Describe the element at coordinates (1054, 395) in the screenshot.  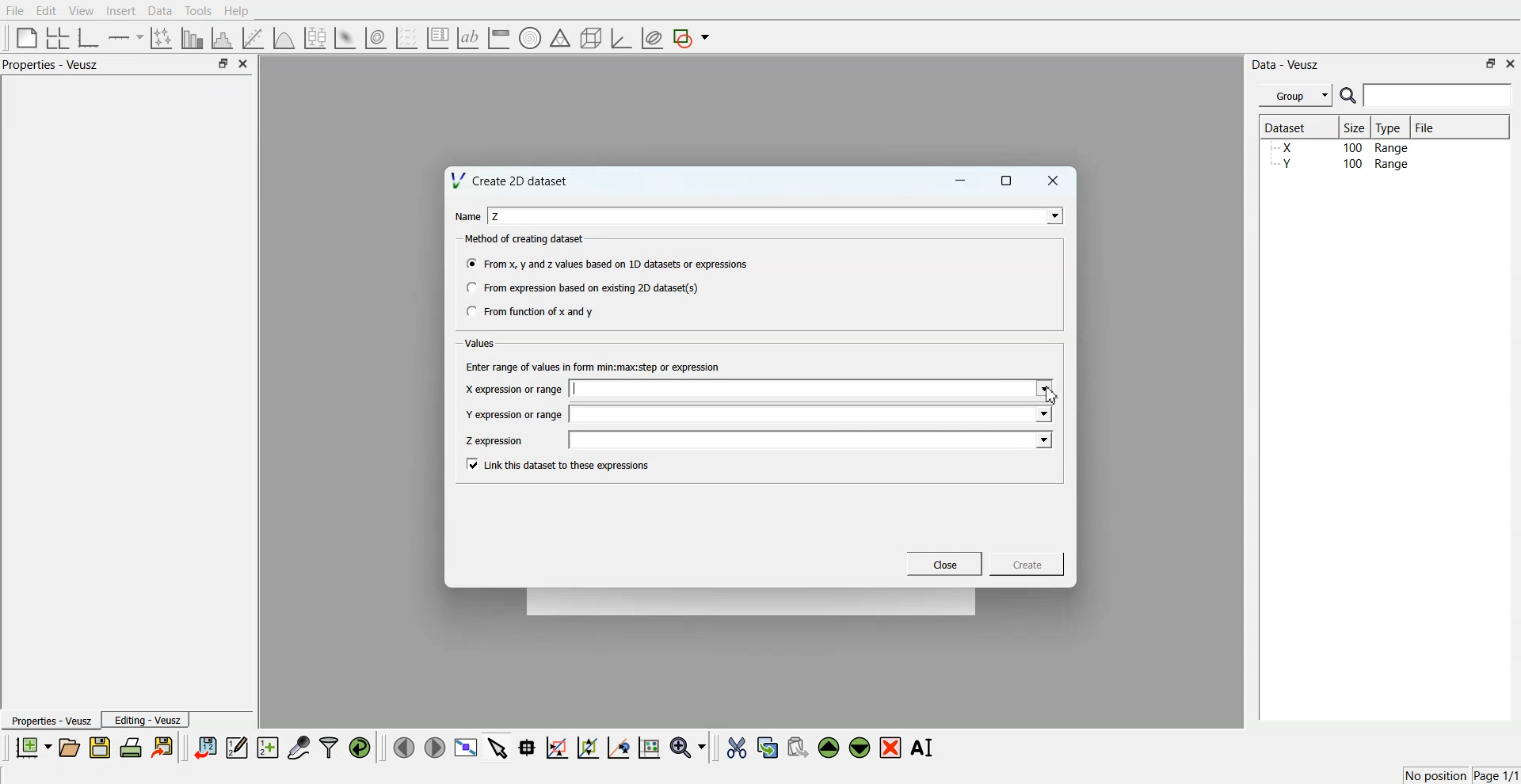
I see `Cursor` at that location.